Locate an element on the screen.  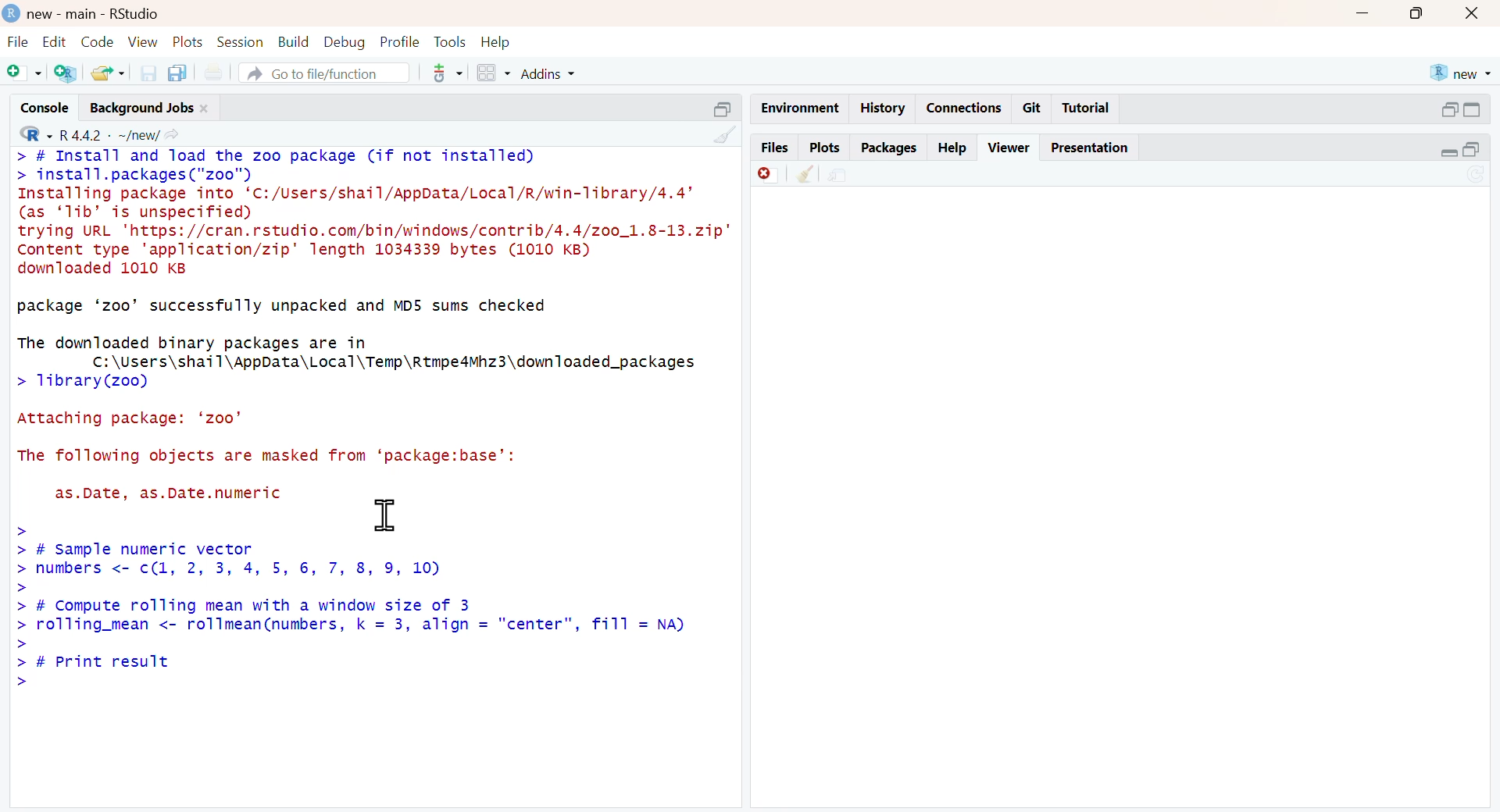
logo is located at coordinates (11, 15).